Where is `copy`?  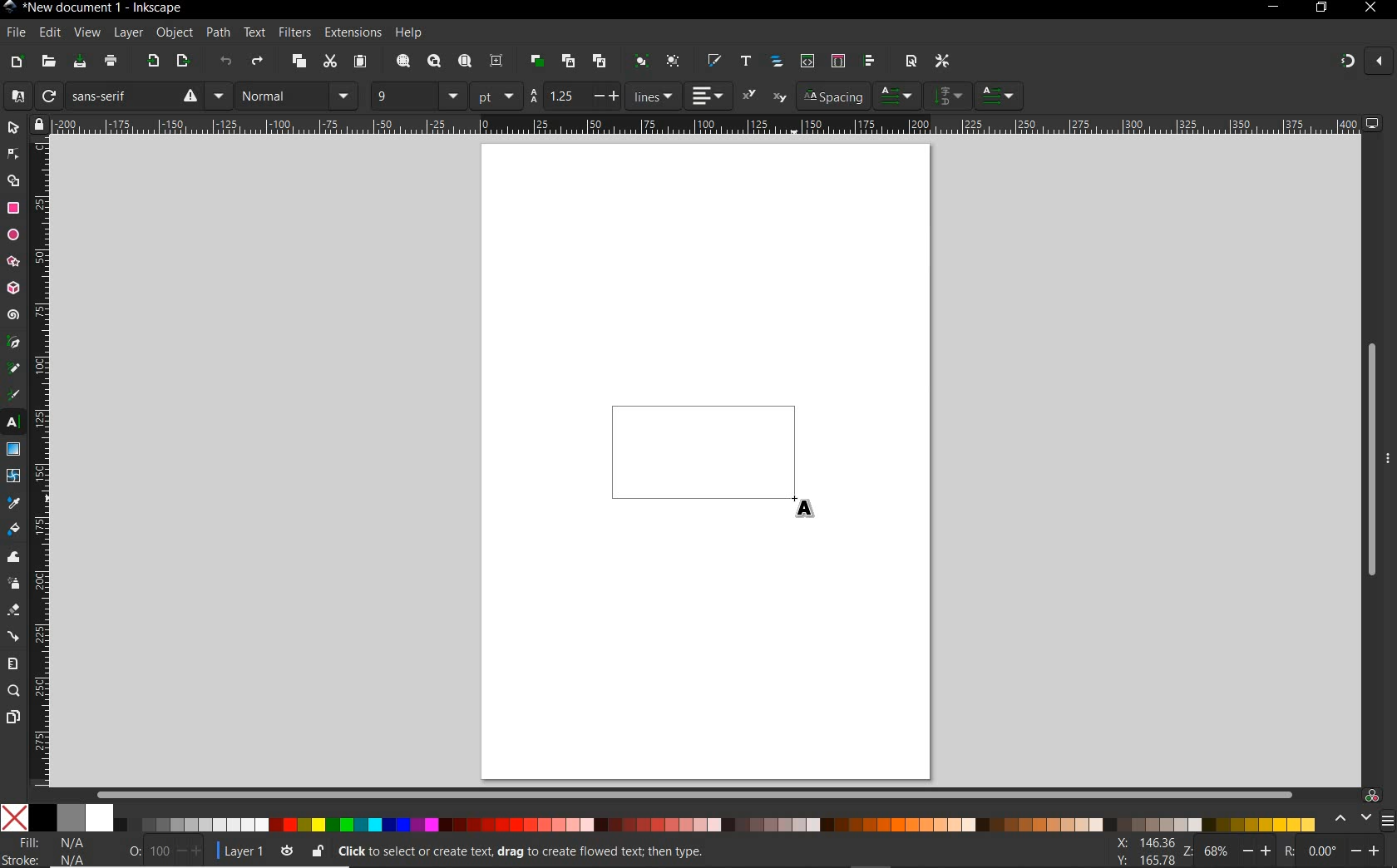
copy is located at coordinates (299, 62).